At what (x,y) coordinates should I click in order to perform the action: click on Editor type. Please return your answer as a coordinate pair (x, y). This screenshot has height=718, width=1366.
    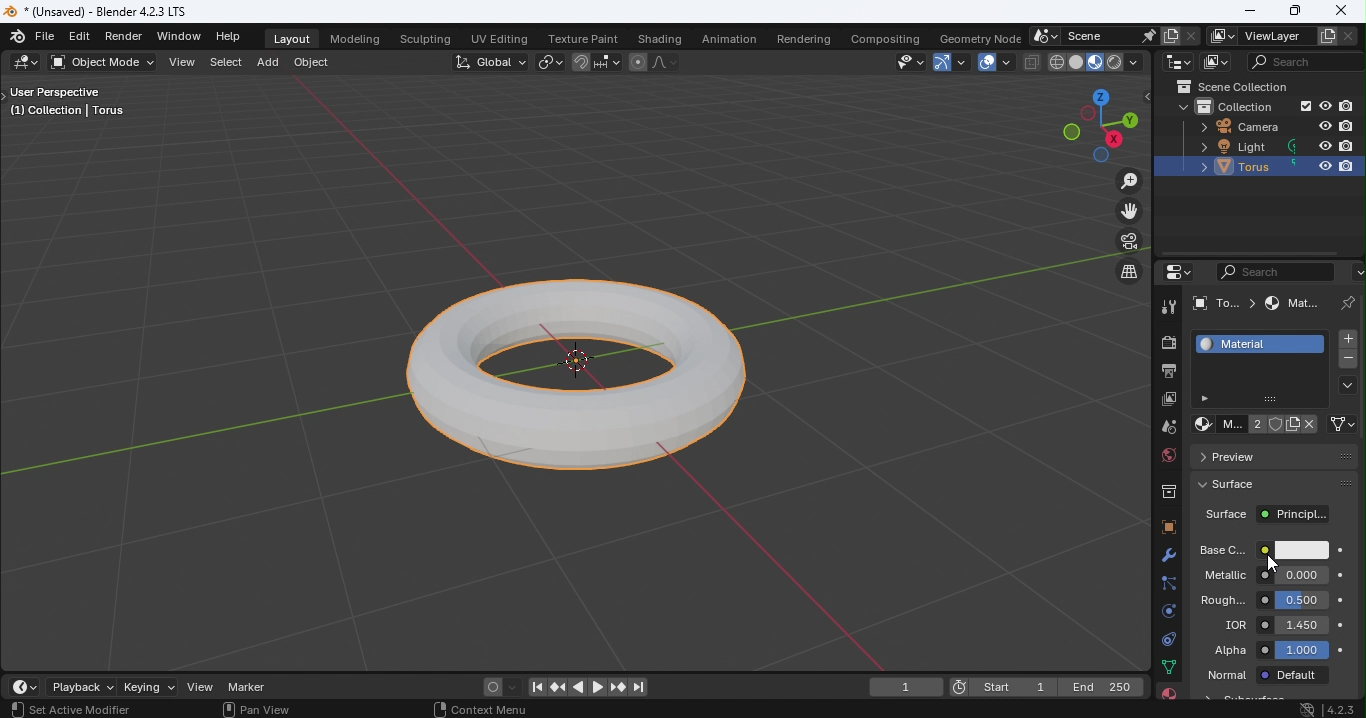
    Looking at the image, I should click on (1175, 271).